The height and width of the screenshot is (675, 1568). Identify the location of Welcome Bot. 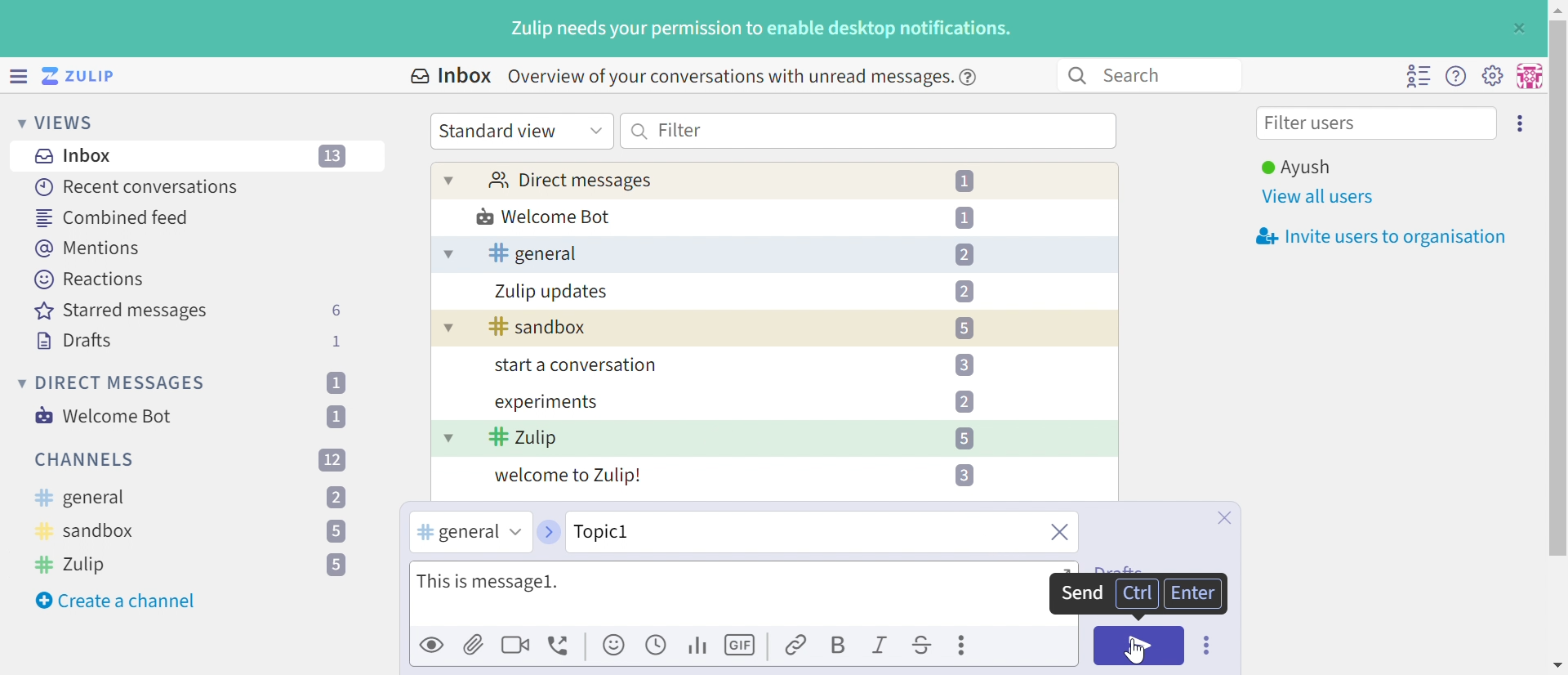
(105, 416).